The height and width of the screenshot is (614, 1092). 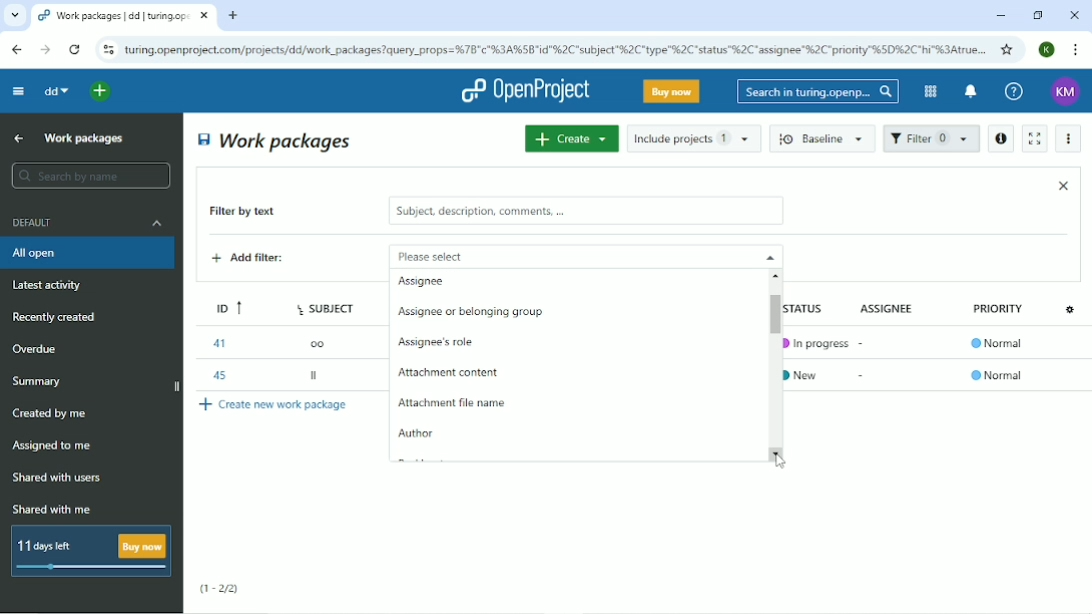 What do you see at coordinates (808, 373) in the screenshot?
I see `New` at bounding box center [808, 373].